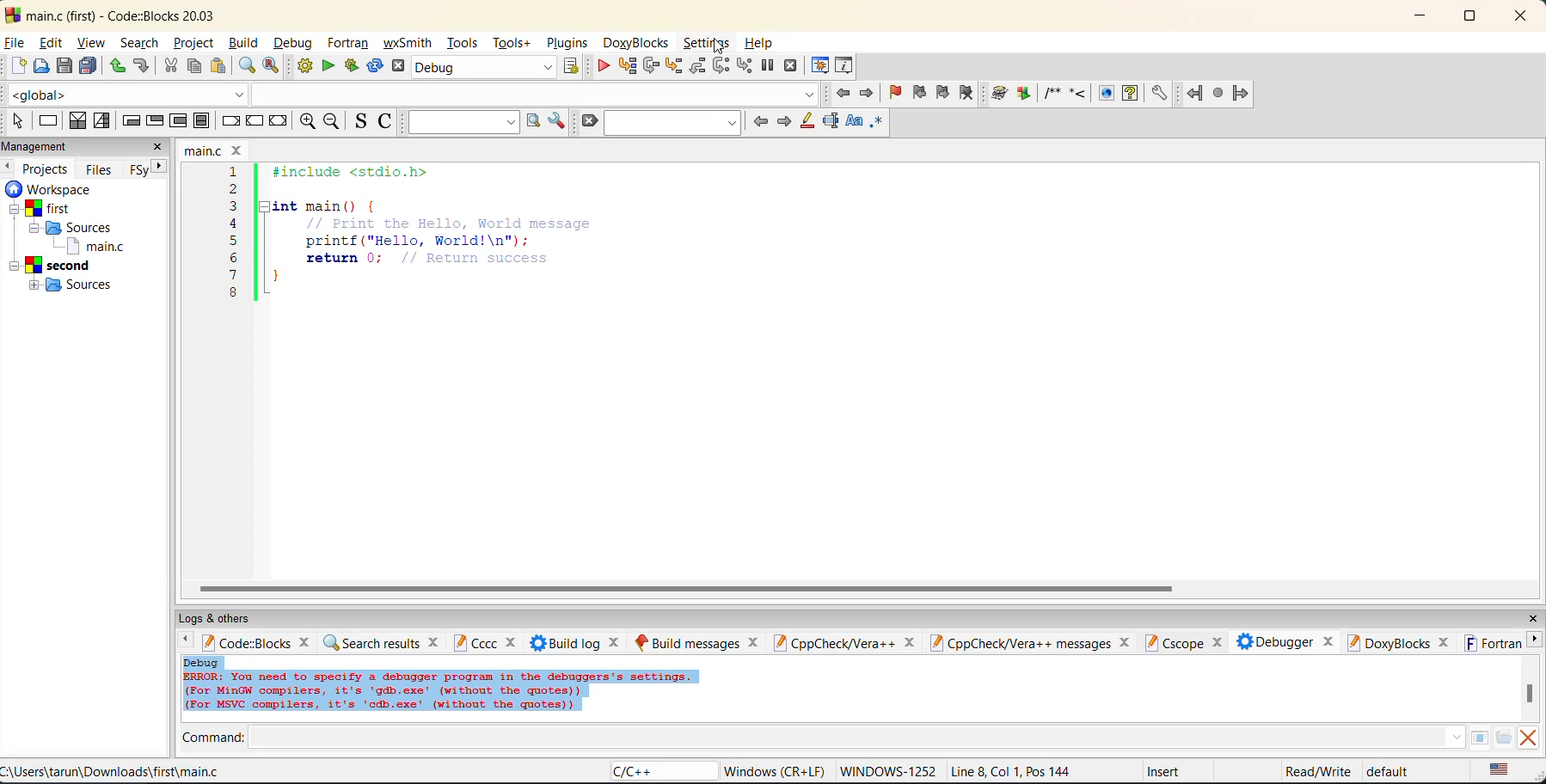  Describe the element at coordinates (246, 45) in the screenshot. I see `build` at that location.